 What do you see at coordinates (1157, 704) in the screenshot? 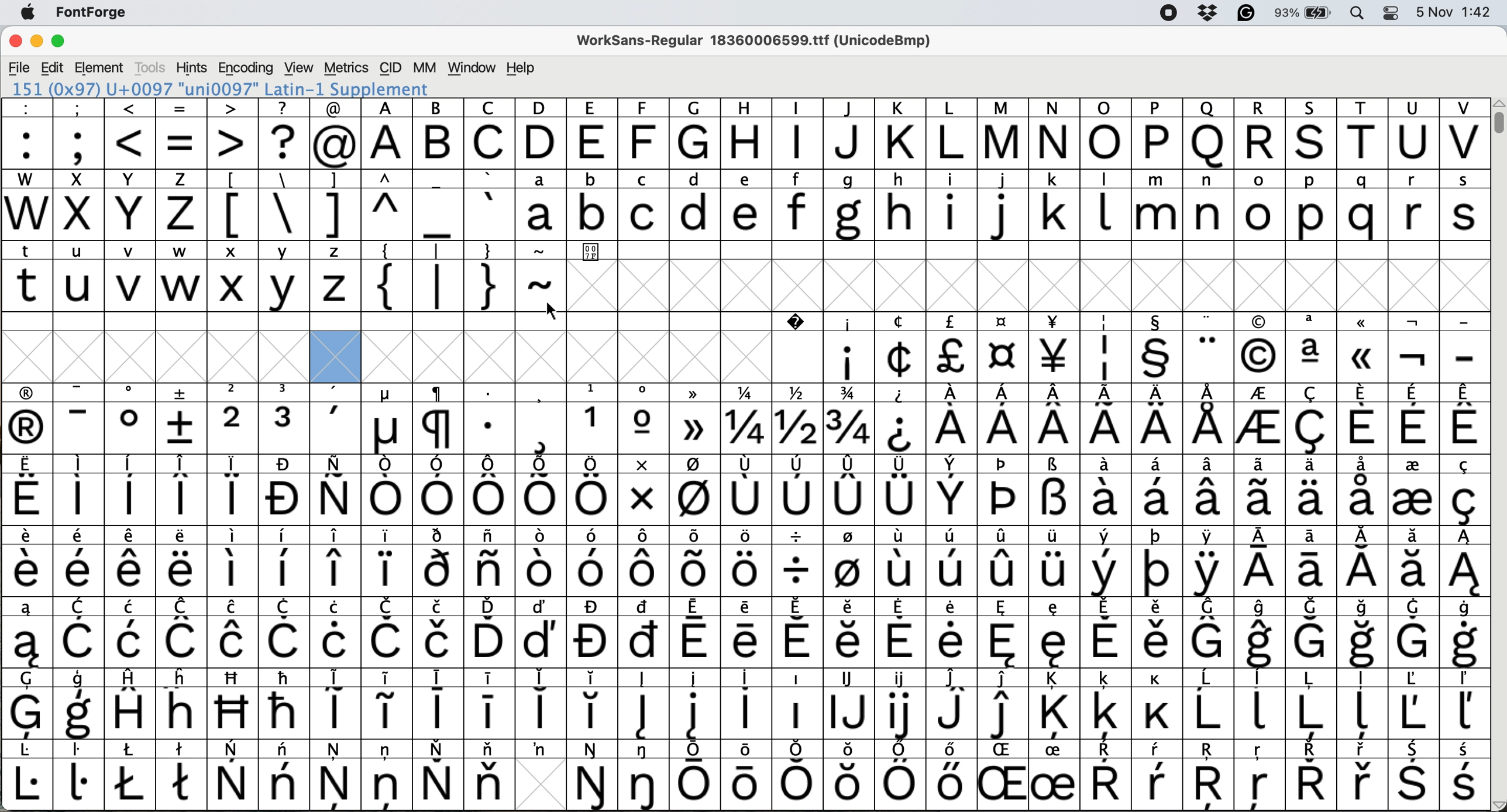
I see `symbol` at bounding box center [1157, 704].